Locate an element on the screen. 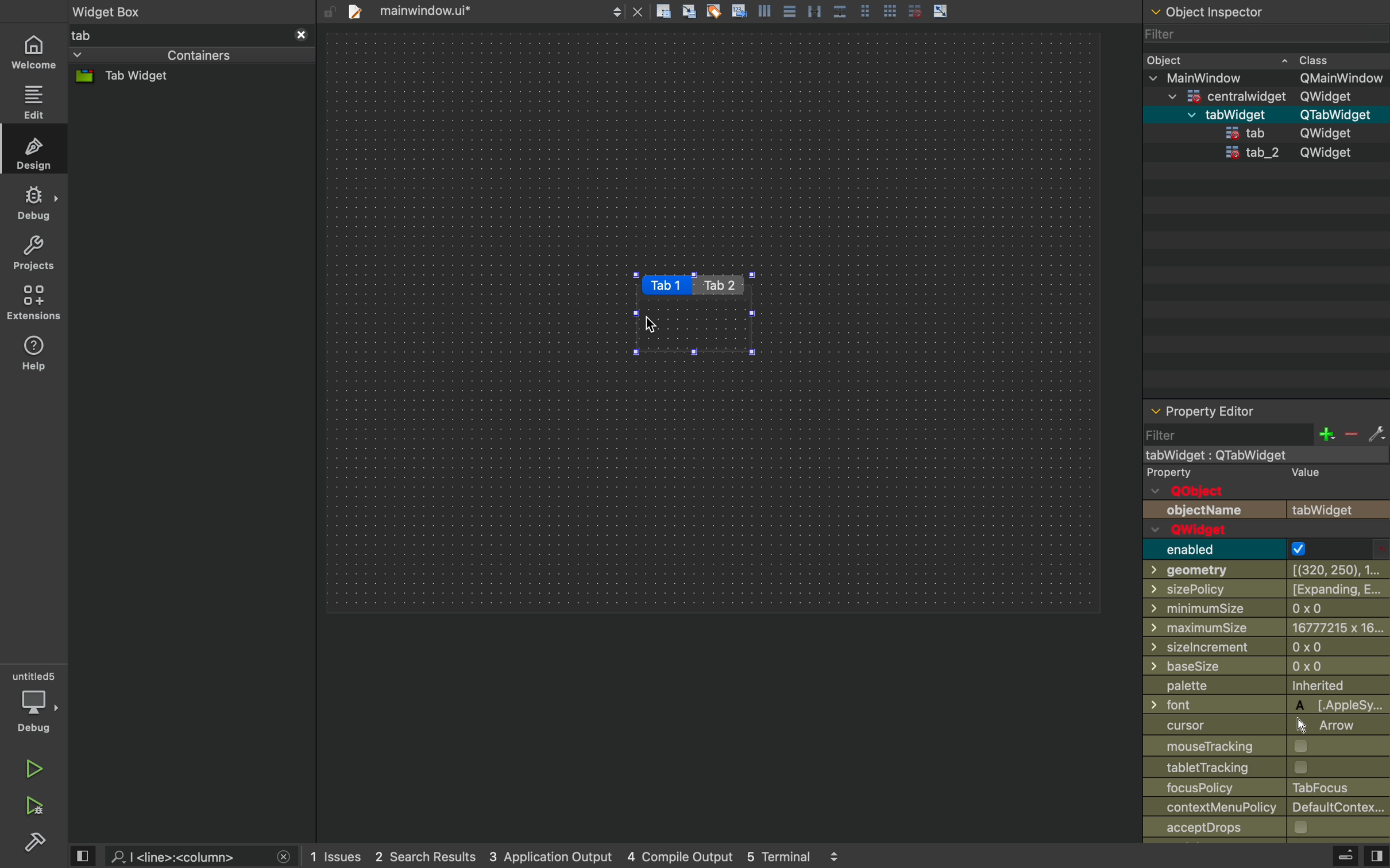 This screenshot has width=1390, height=868. tabwidget is located at coordinates (1265, 114).